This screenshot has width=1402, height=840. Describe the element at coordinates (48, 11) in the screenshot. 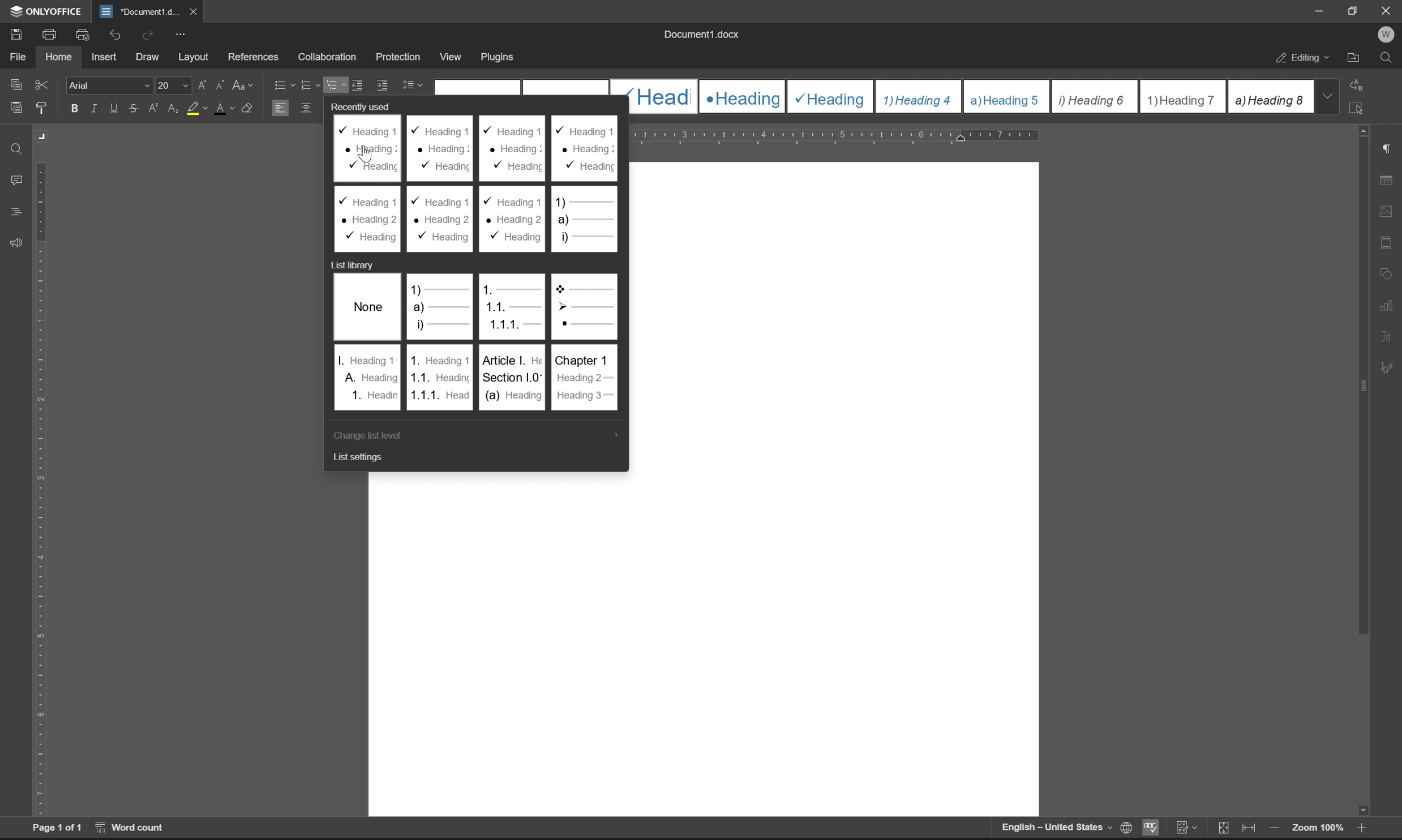

I see `ONLYOFFICE` at that location.